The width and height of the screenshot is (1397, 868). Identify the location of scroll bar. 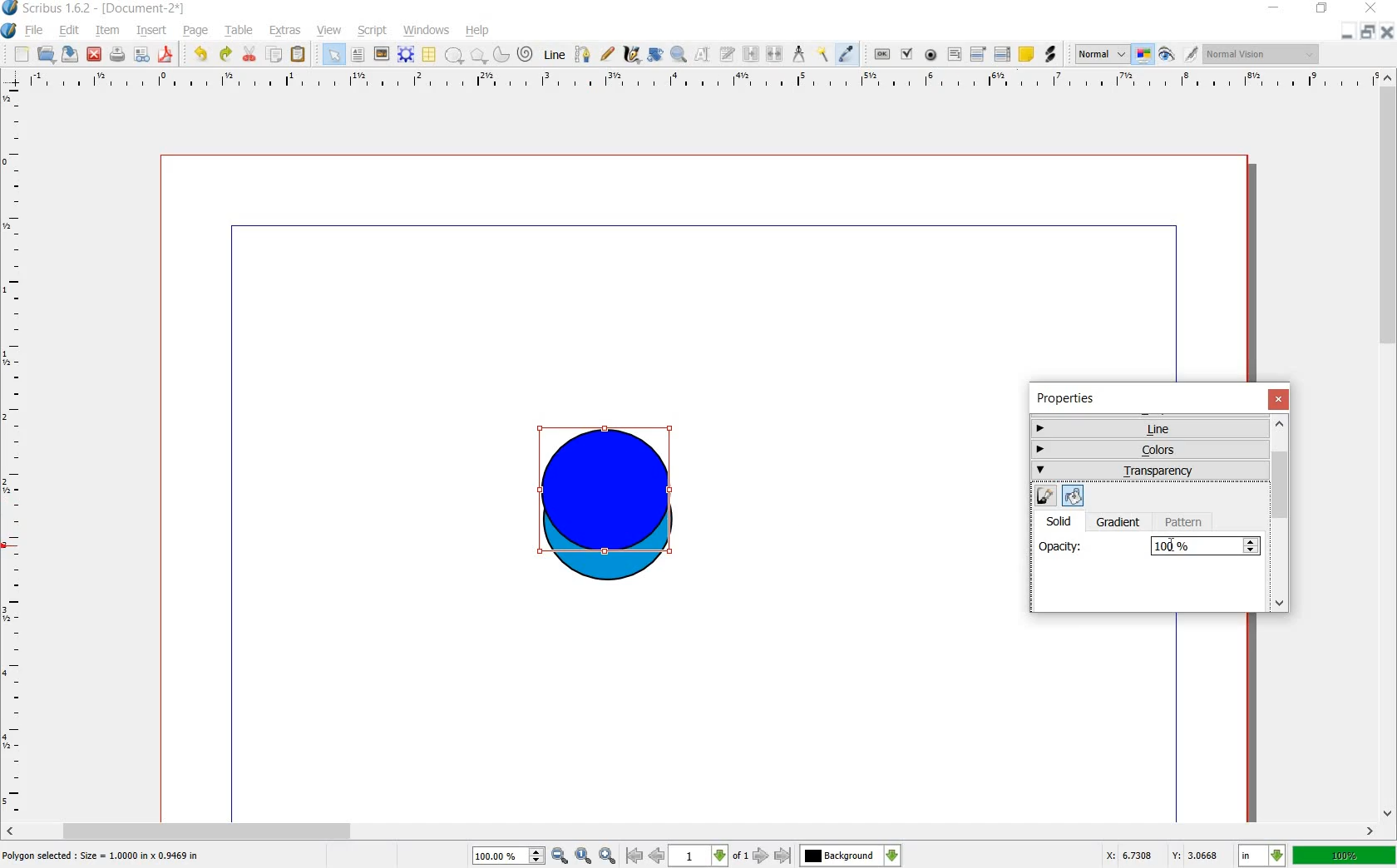
(690, 830).